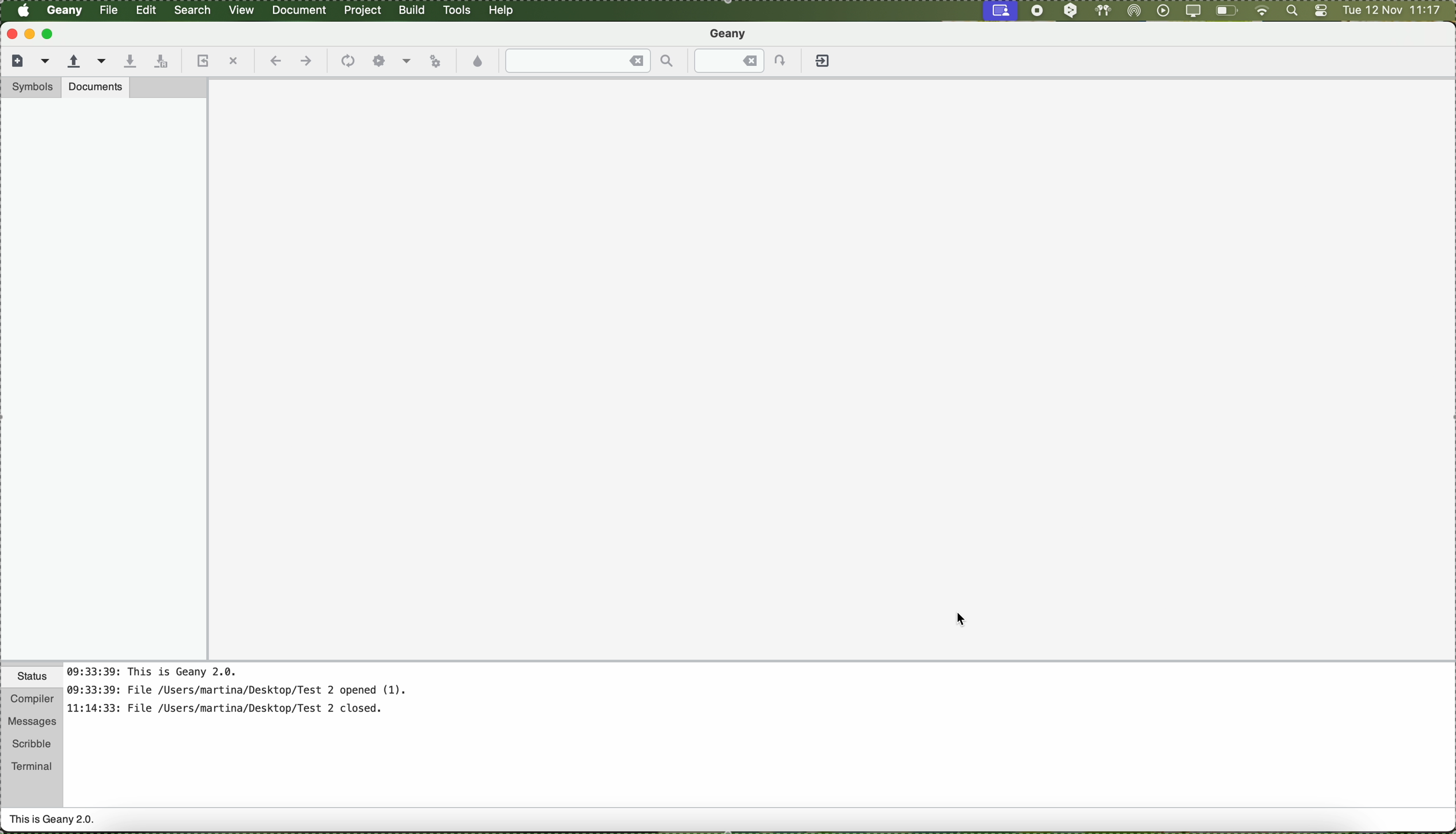 This screenshot has height=834, width=1456. What do you see at coordinates (74, 62) in the screenshot?
I see `open an existing file` at bounding box center [74, 62].